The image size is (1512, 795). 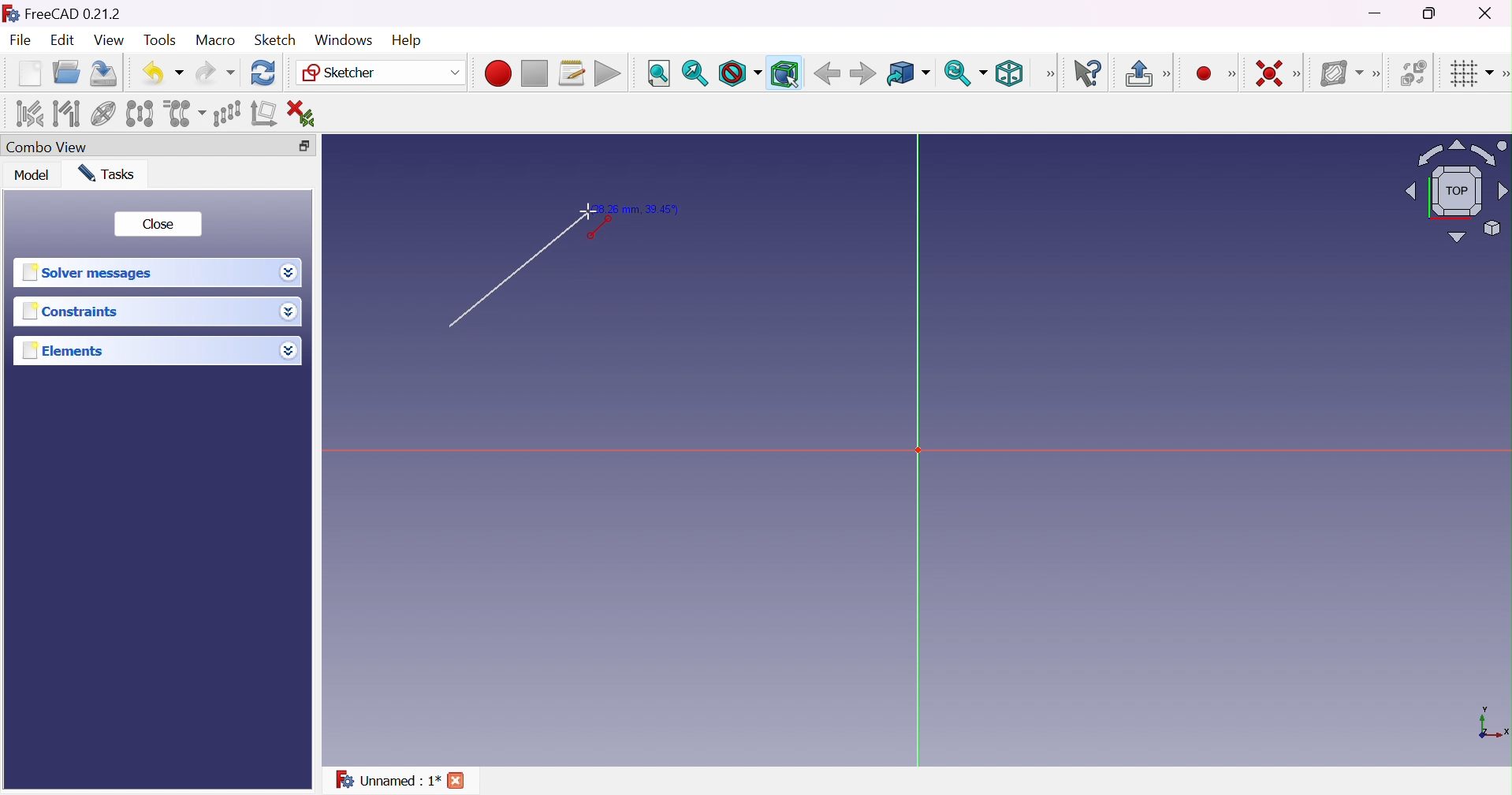 What do you see at coordinates (160, 225) in the screenshot?
I see `Close` at bounding box center [160, 225].